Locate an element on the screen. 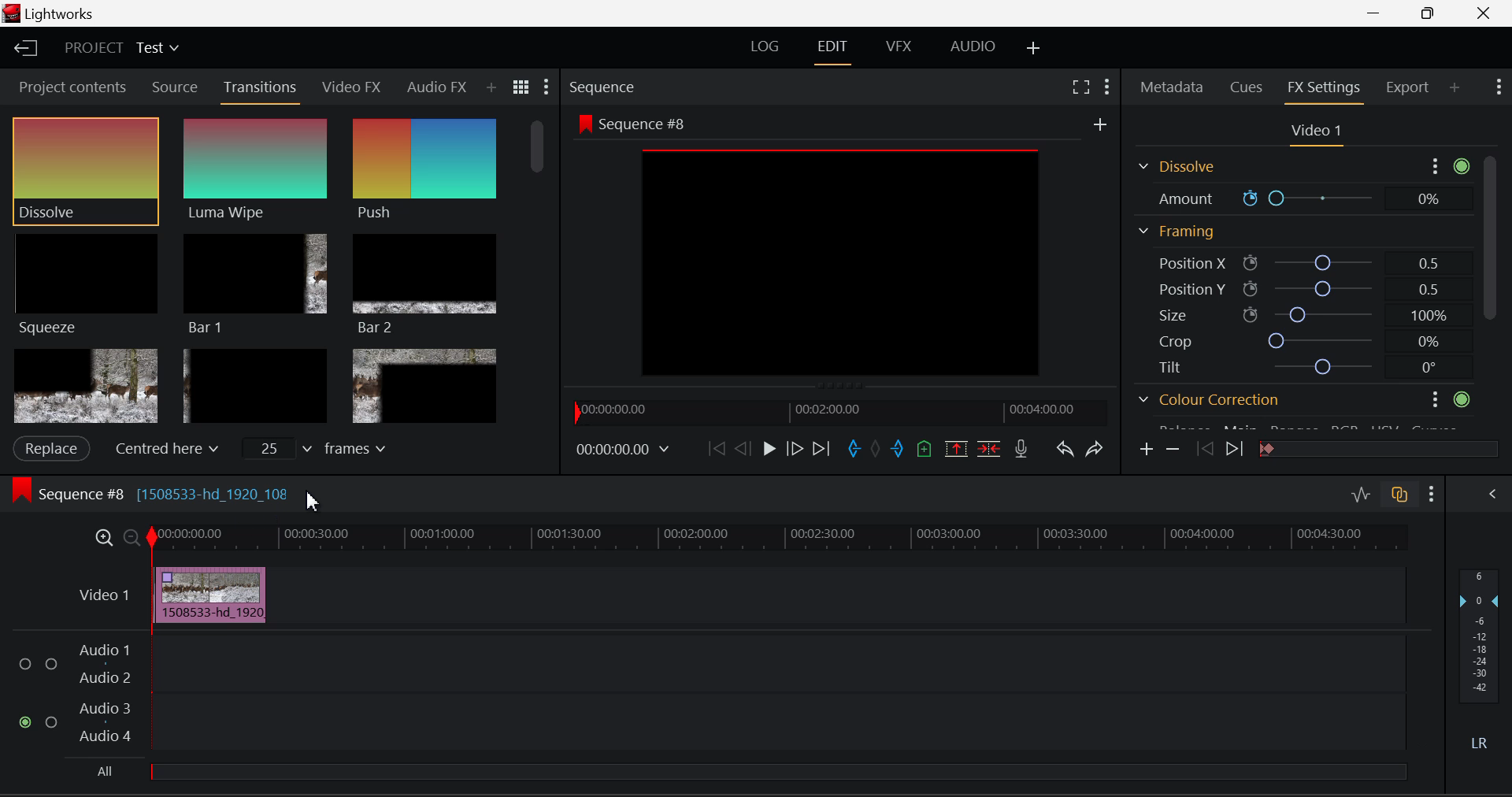 The width and height of the screenshot is (1512, 797). Show Settings is located at coordinates (1432, 495).